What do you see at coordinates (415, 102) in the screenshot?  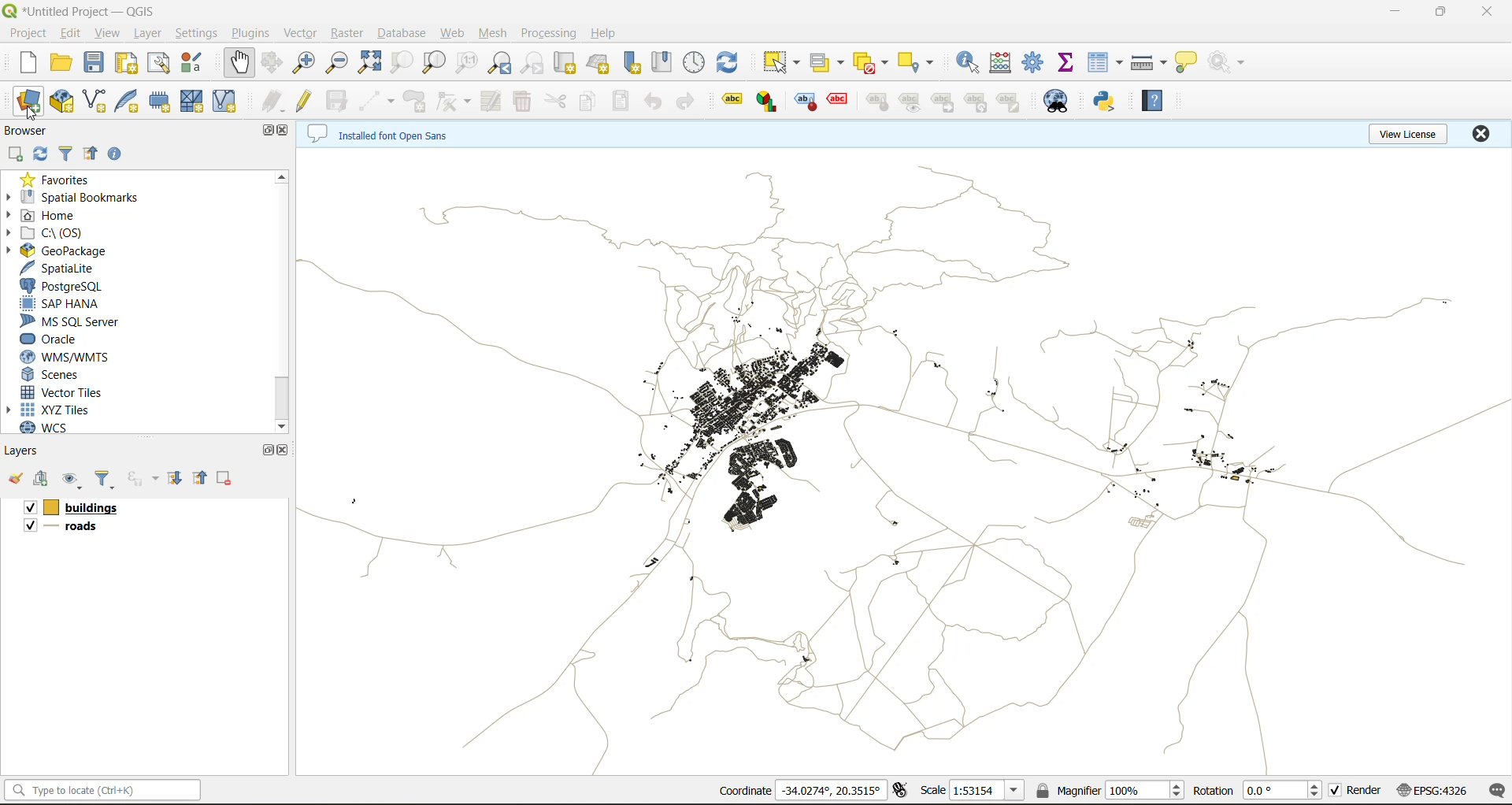 I see `add polygon` at bounding box center [415, 102].